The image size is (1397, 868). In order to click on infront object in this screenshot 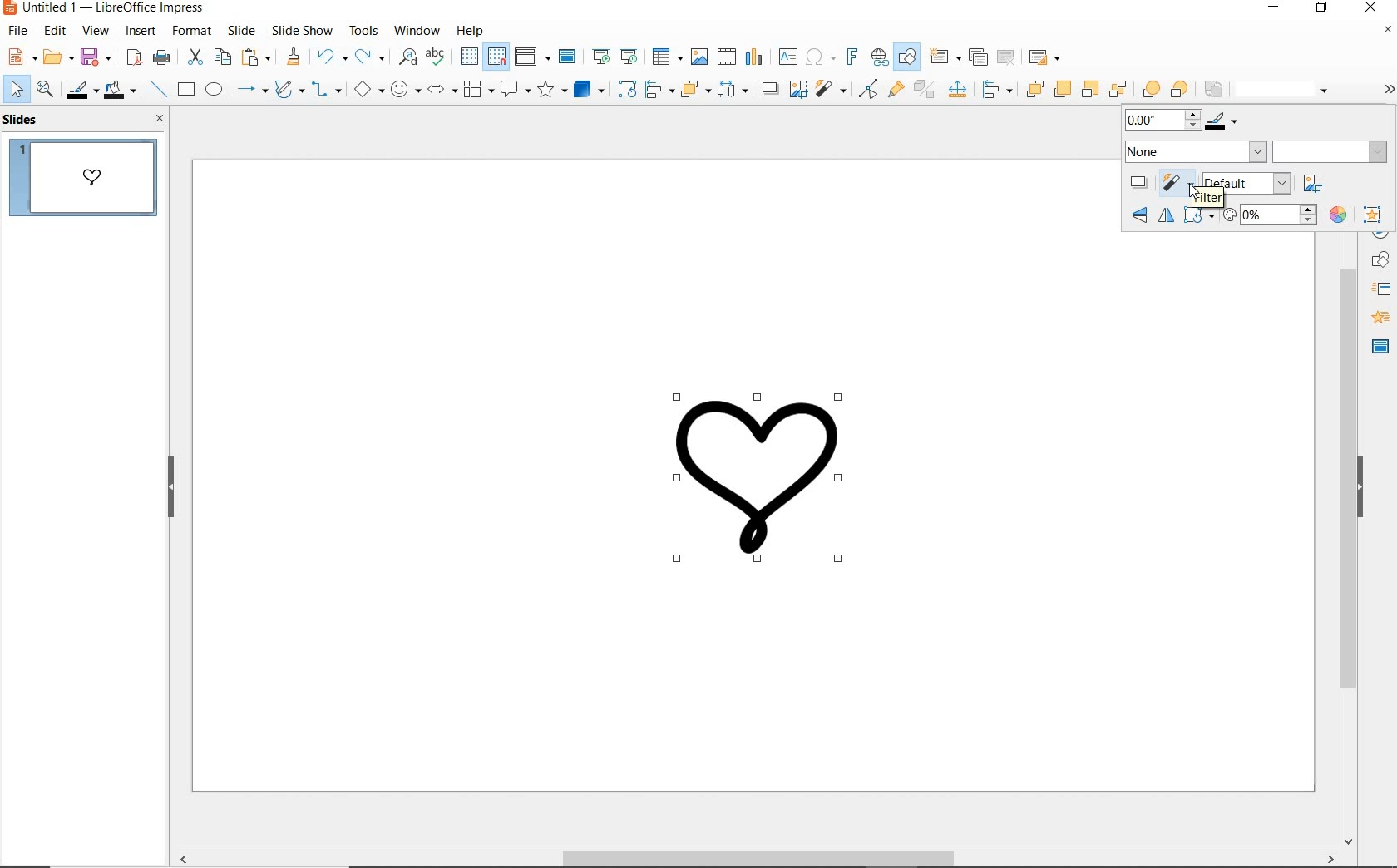, I will do `click(1151, 91)`.